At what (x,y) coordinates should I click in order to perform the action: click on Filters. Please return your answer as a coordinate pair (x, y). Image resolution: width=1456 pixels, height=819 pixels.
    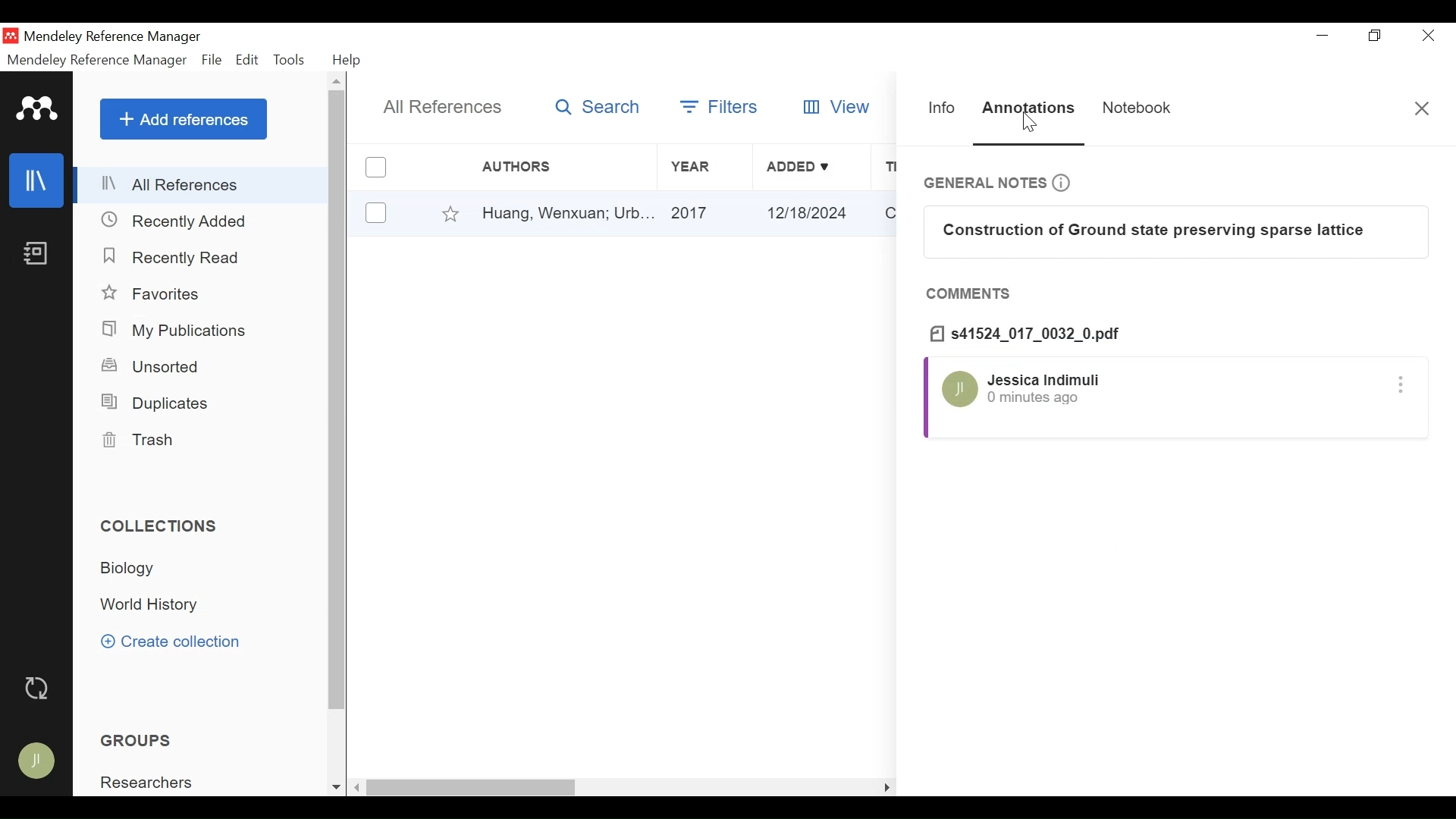
    Looking at the image, I should click on (721, 106).